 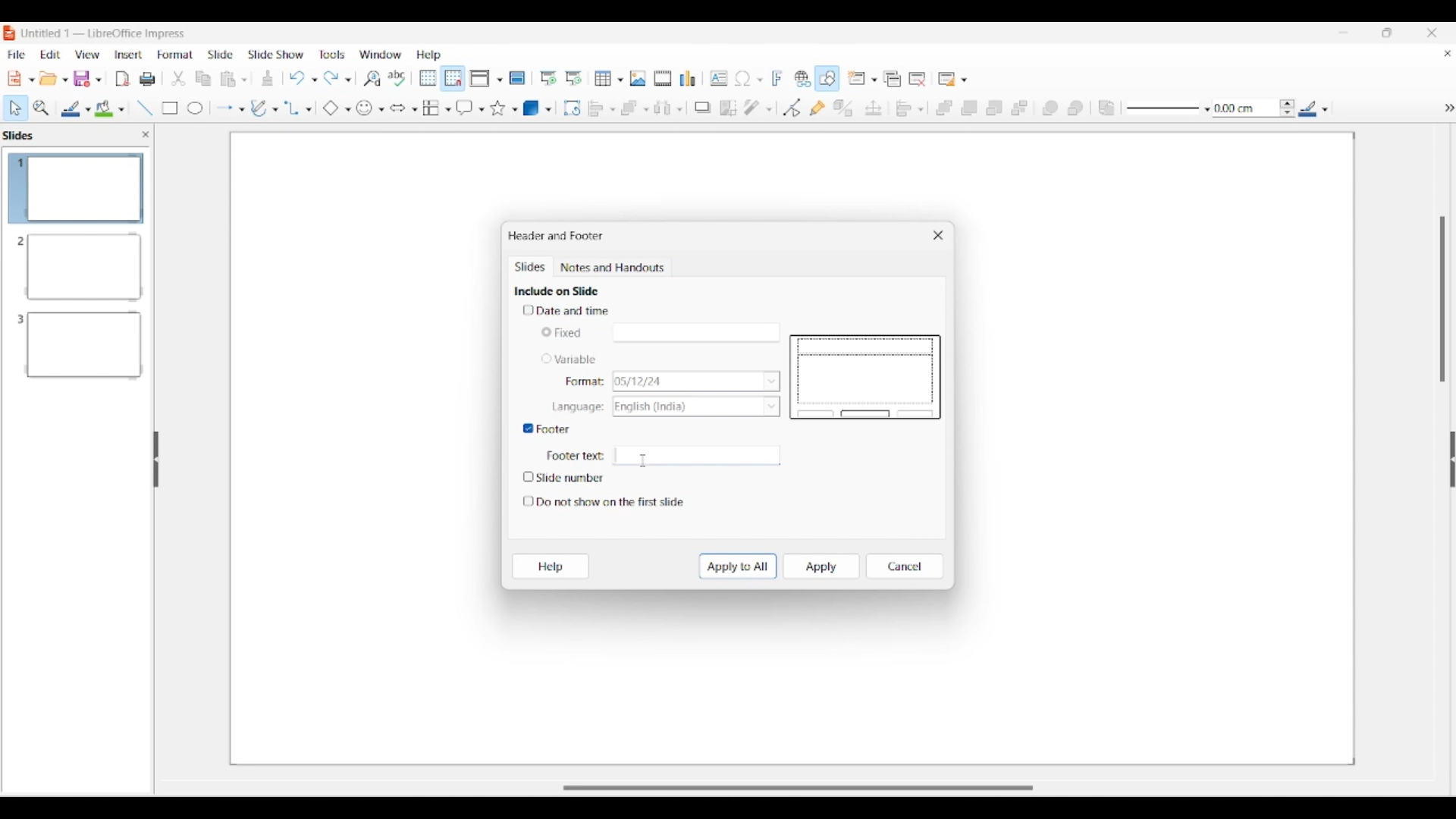 What do you see at coordinates (567, 311) in the screenshot?
I see `Toggle for date and time` at bounding box center [567, 311].